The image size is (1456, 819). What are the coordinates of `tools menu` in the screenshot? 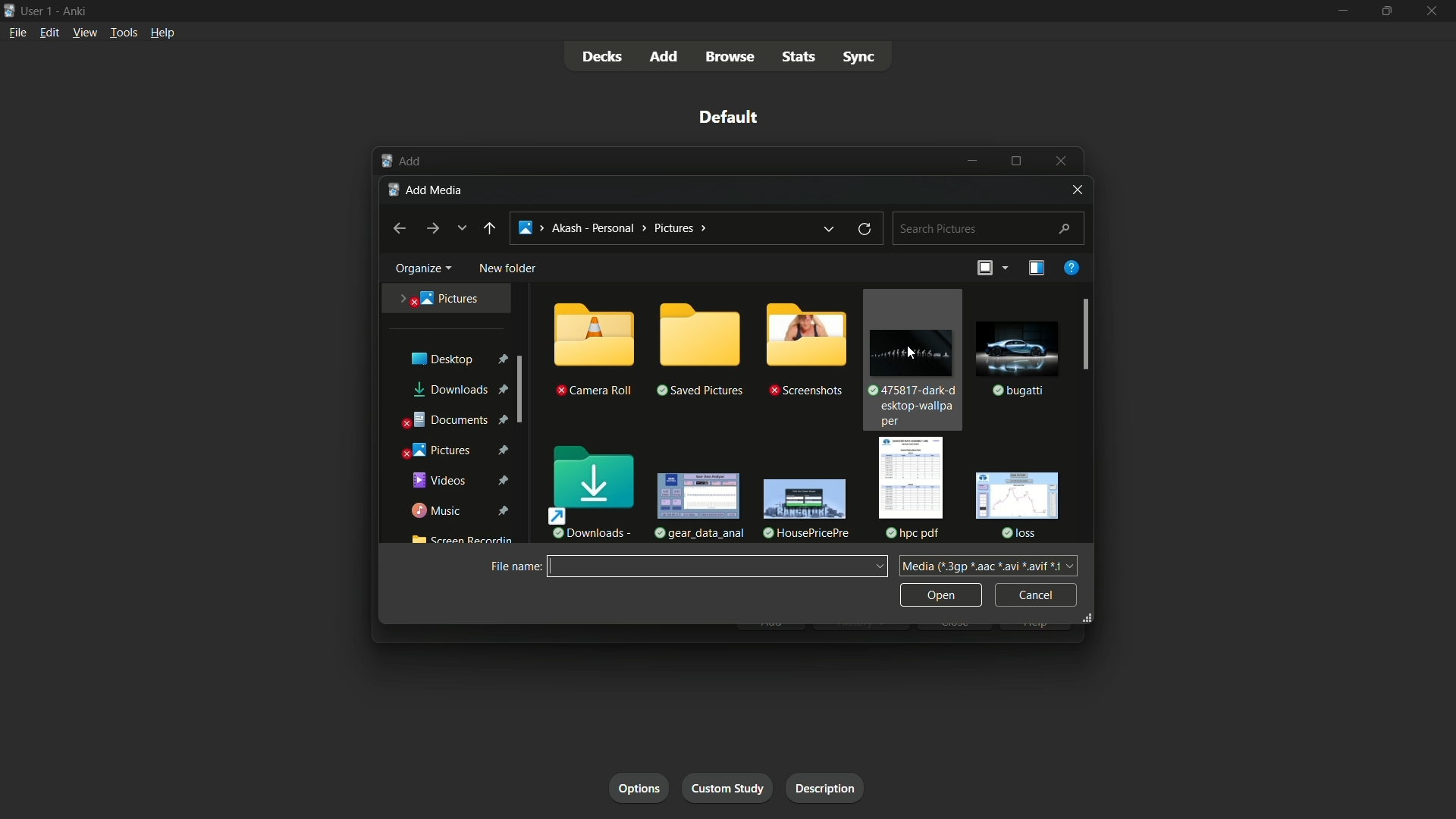 It's located at (121, 33).